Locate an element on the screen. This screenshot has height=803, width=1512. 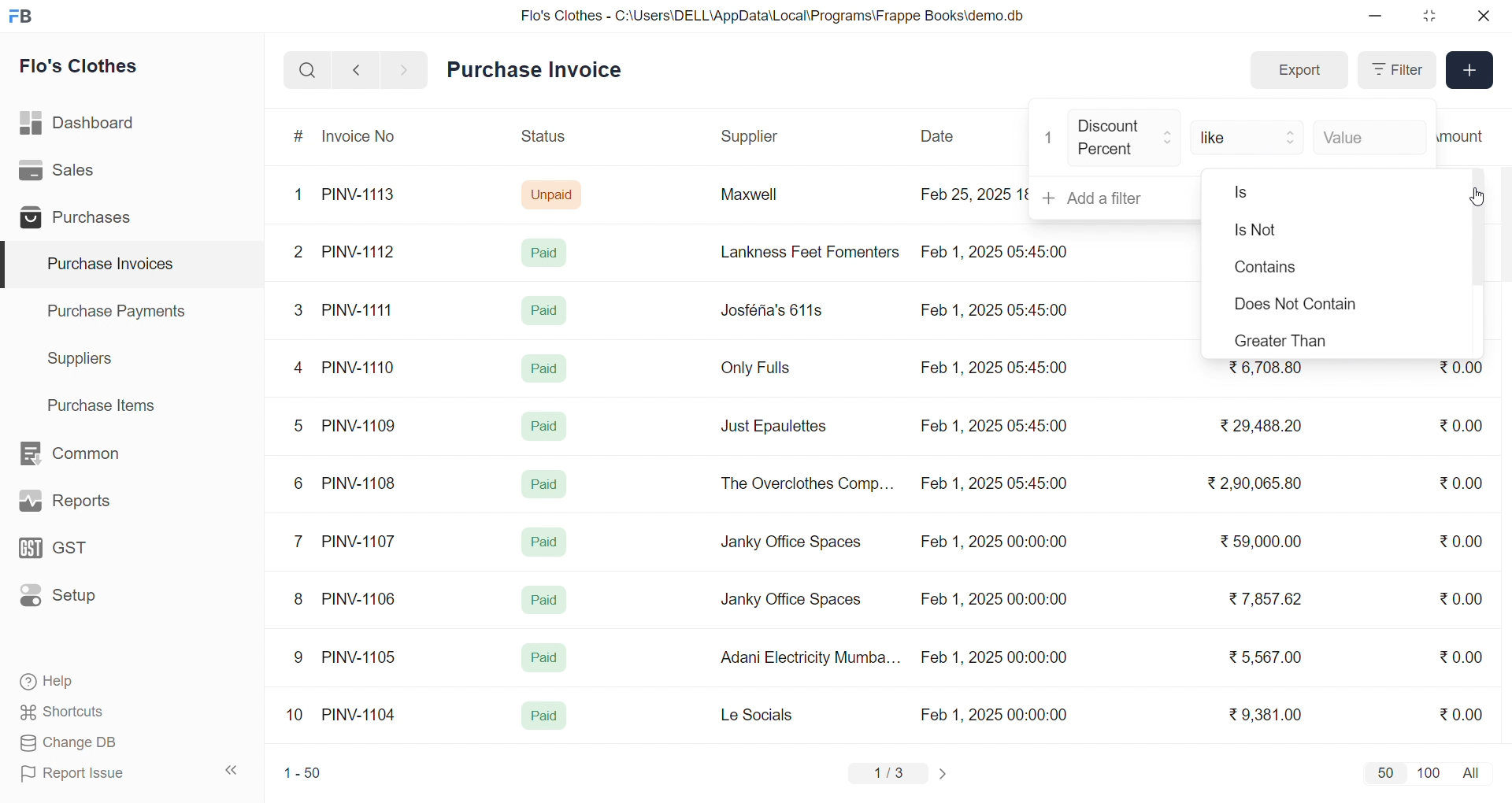
Unpaid is located at coordinates (554, 194).